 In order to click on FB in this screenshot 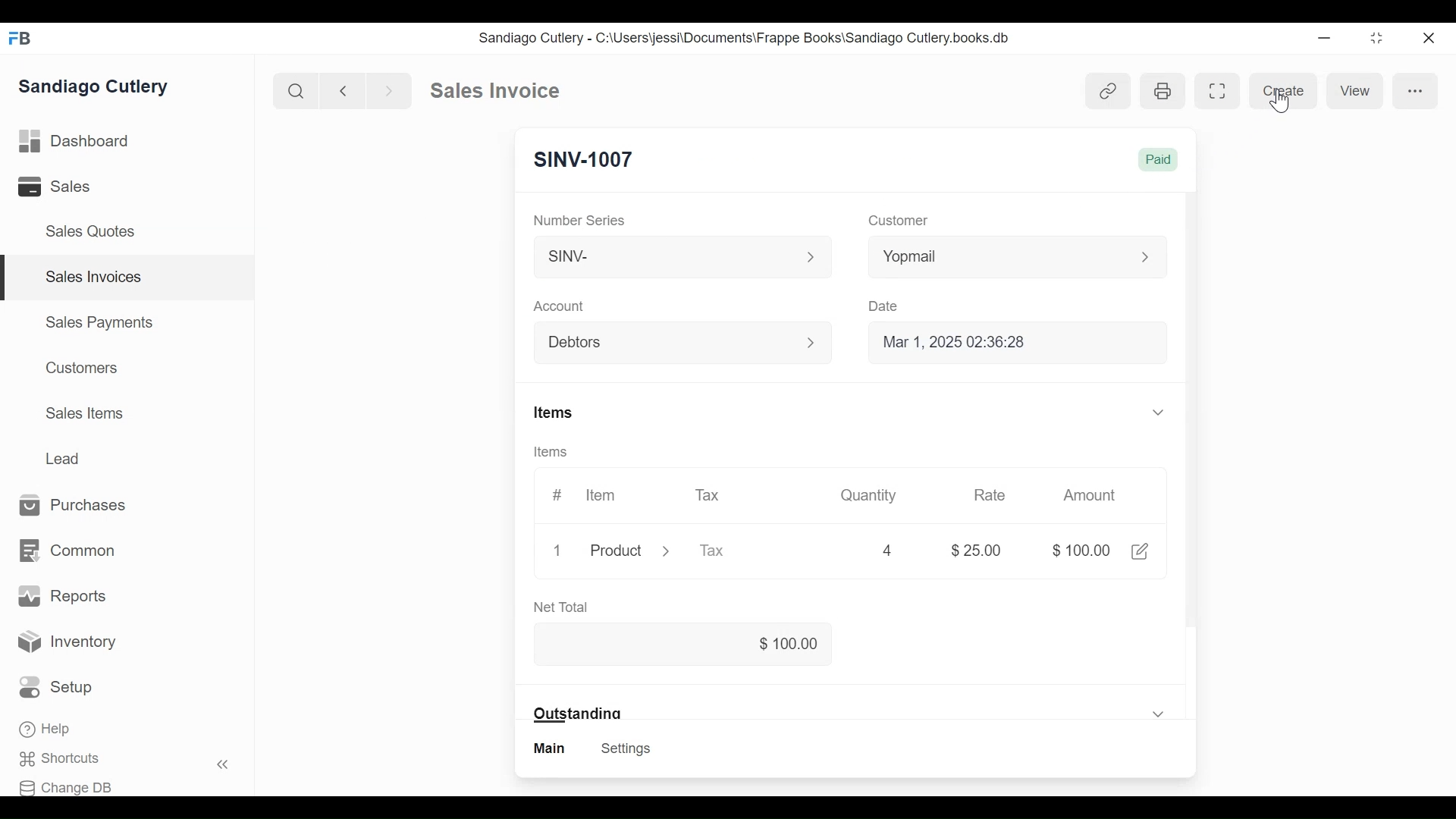, I will do `click(23, 39)`.